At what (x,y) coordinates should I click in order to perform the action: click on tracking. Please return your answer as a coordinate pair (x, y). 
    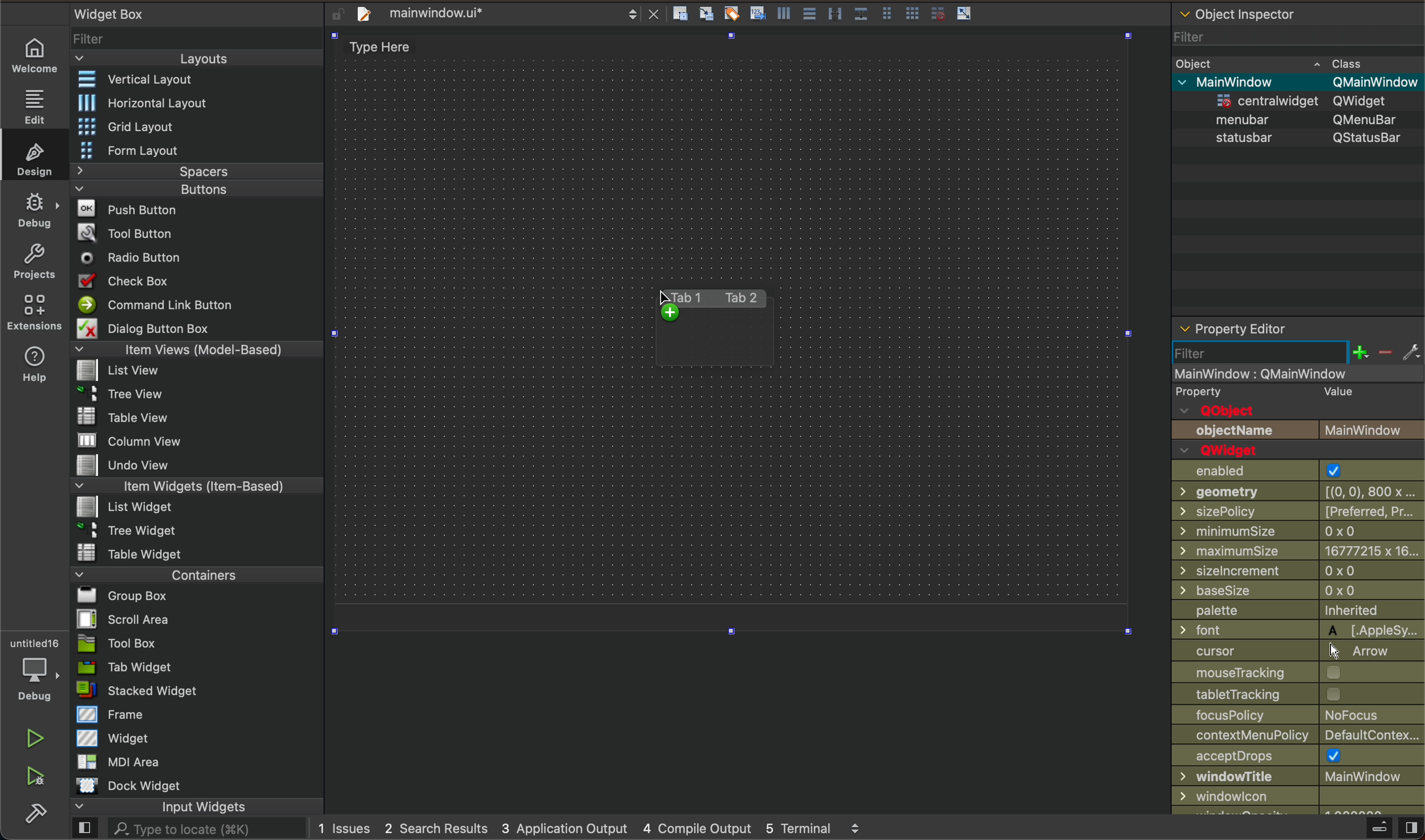
    Looking at the image, I should click on (1296, 694).